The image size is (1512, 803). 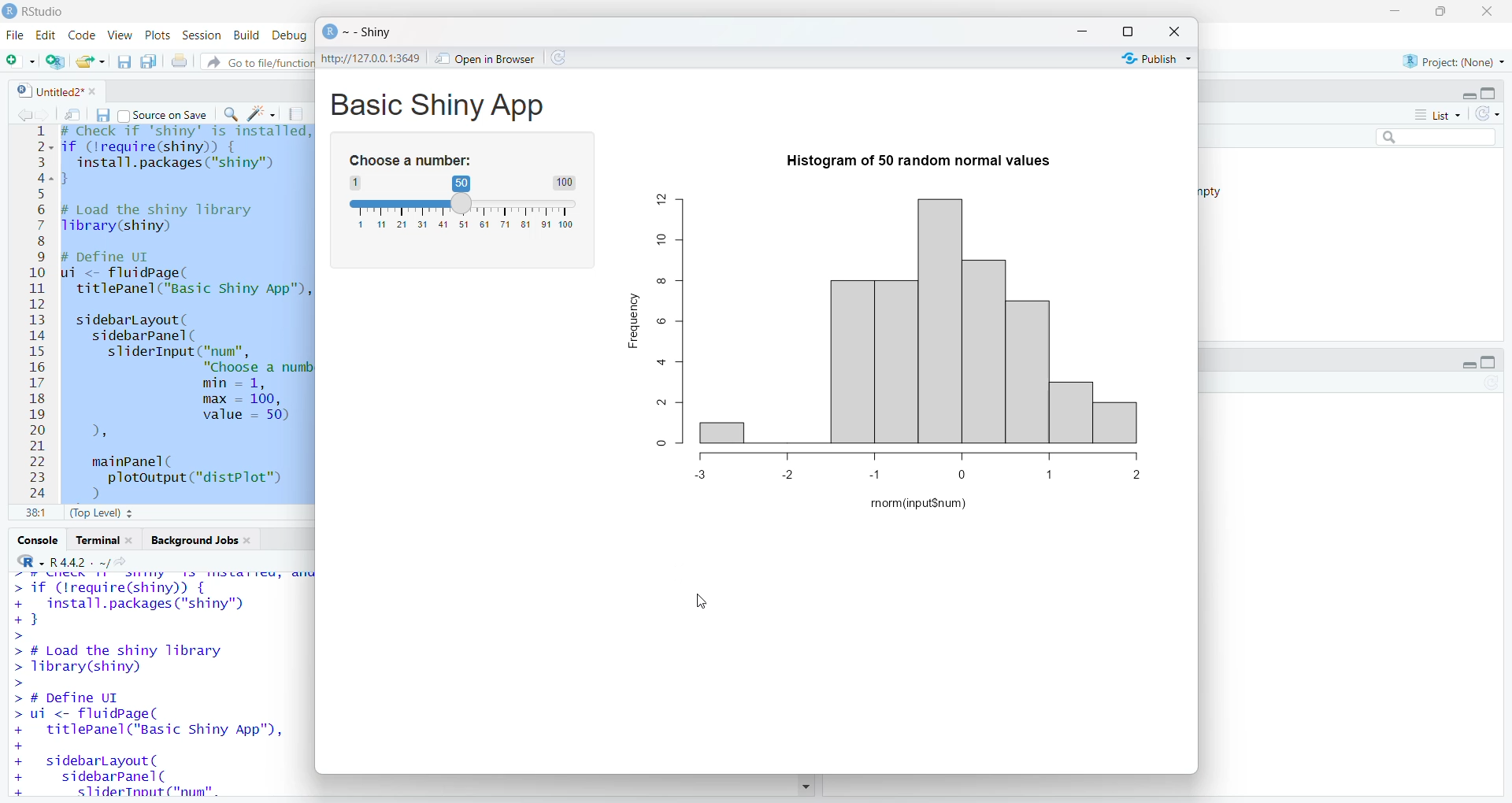 I want to click on graph, so click(x=928, y=314).